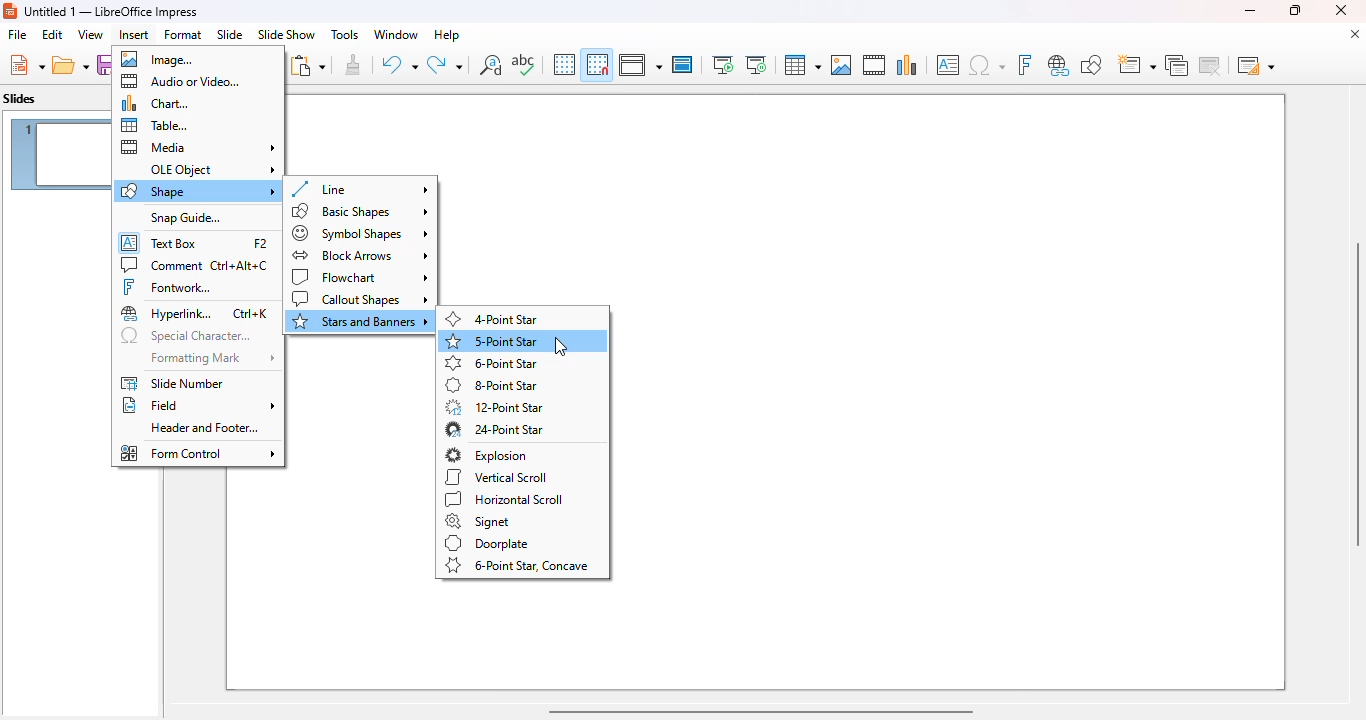 This screenshot has width=1366, height=720. I want to click on 24-point star, so click(493, 430).